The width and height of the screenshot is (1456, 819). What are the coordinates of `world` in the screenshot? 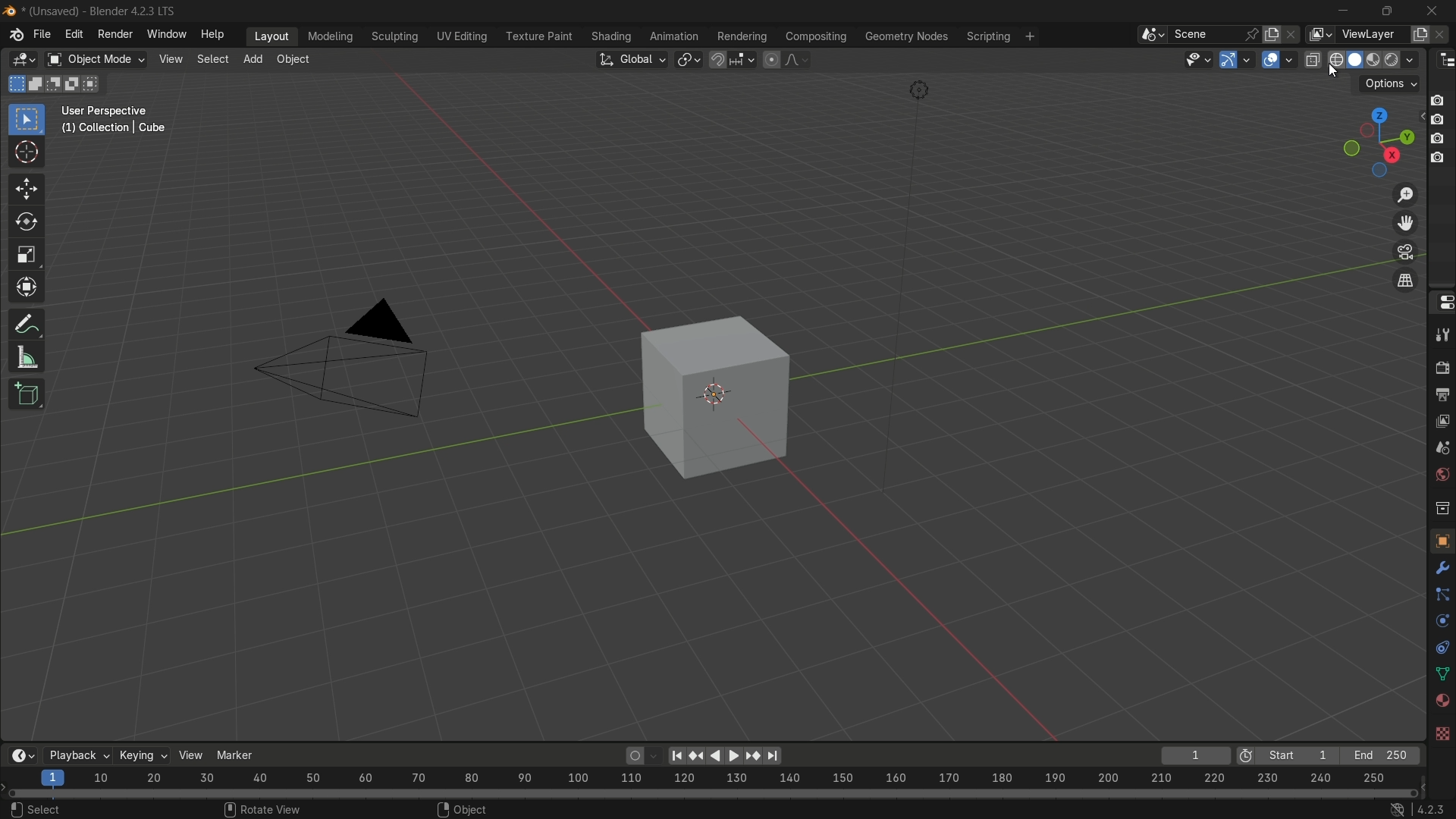 It's located at (1441, 476).